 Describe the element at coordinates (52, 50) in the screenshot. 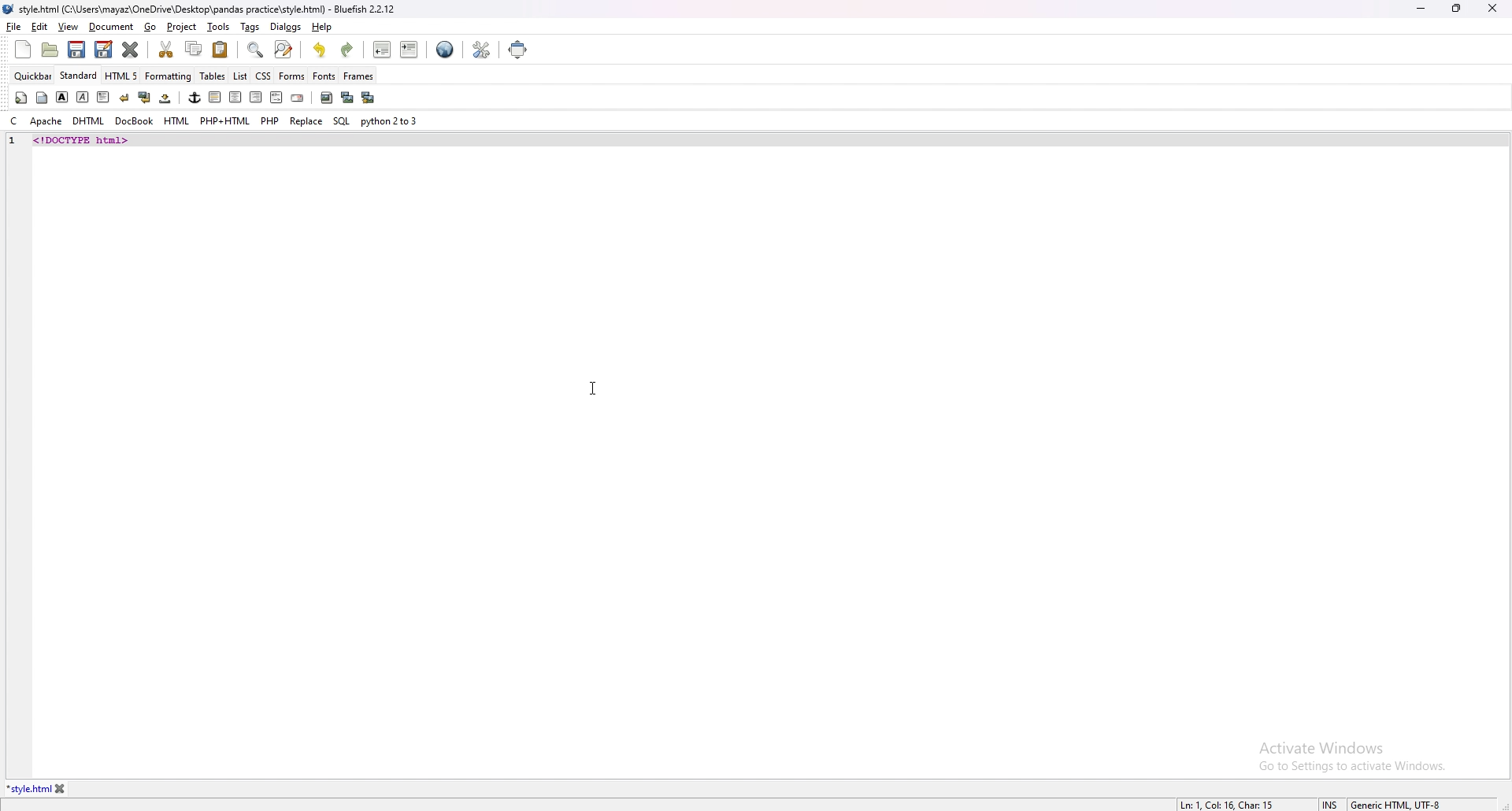

I see `open` at that location.